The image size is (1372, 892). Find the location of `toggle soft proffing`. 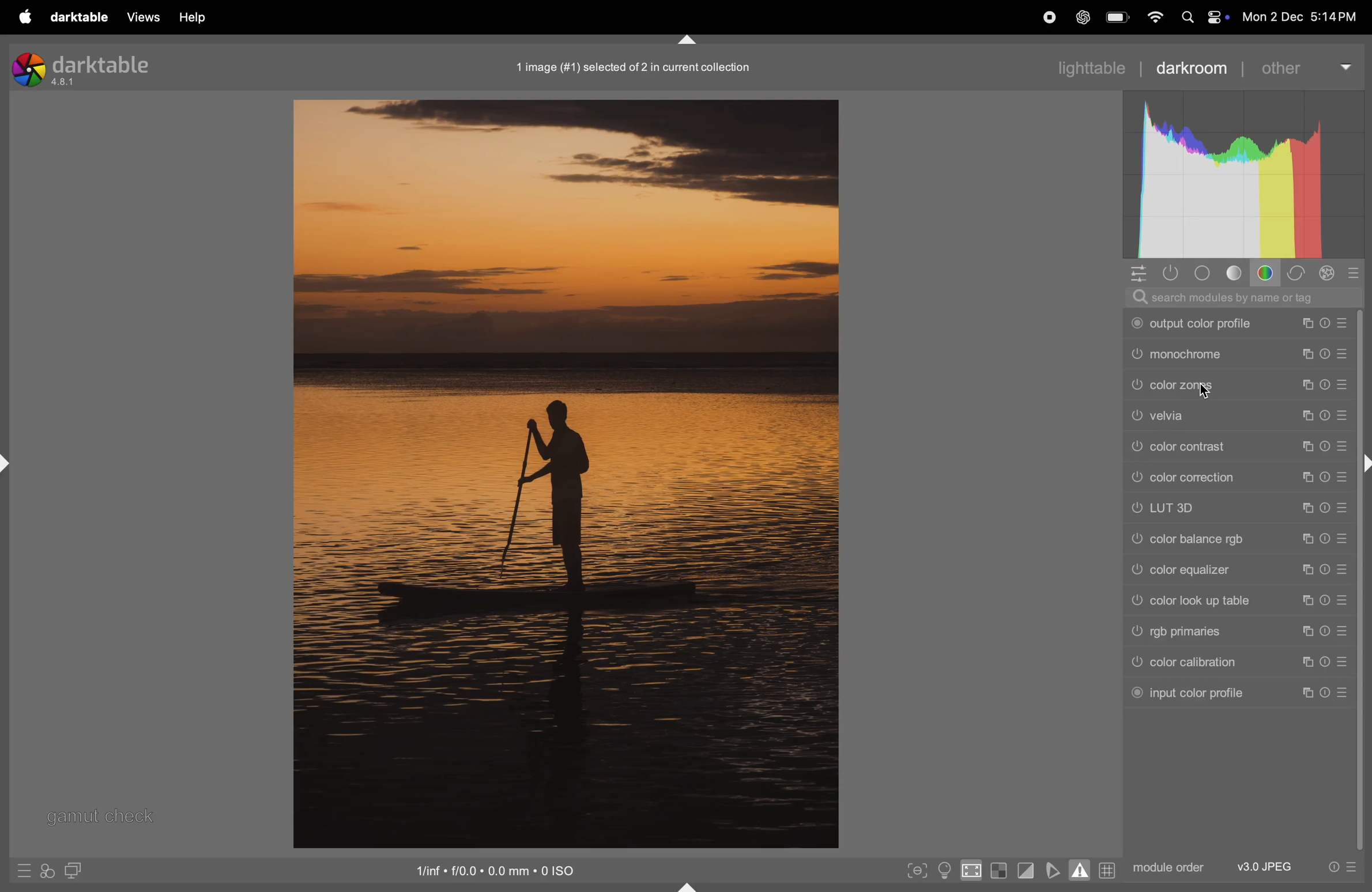

toggle soft proffing is located at coordinates (1055, 870).